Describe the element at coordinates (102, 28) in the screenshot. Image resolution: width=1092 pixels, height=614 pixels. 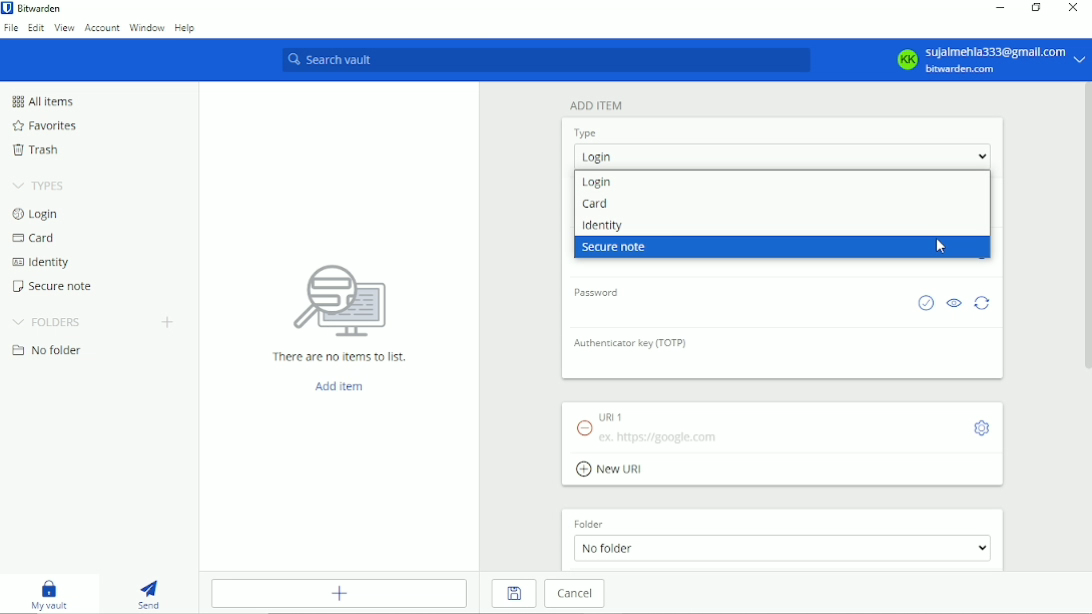
I see `Account` at that location.